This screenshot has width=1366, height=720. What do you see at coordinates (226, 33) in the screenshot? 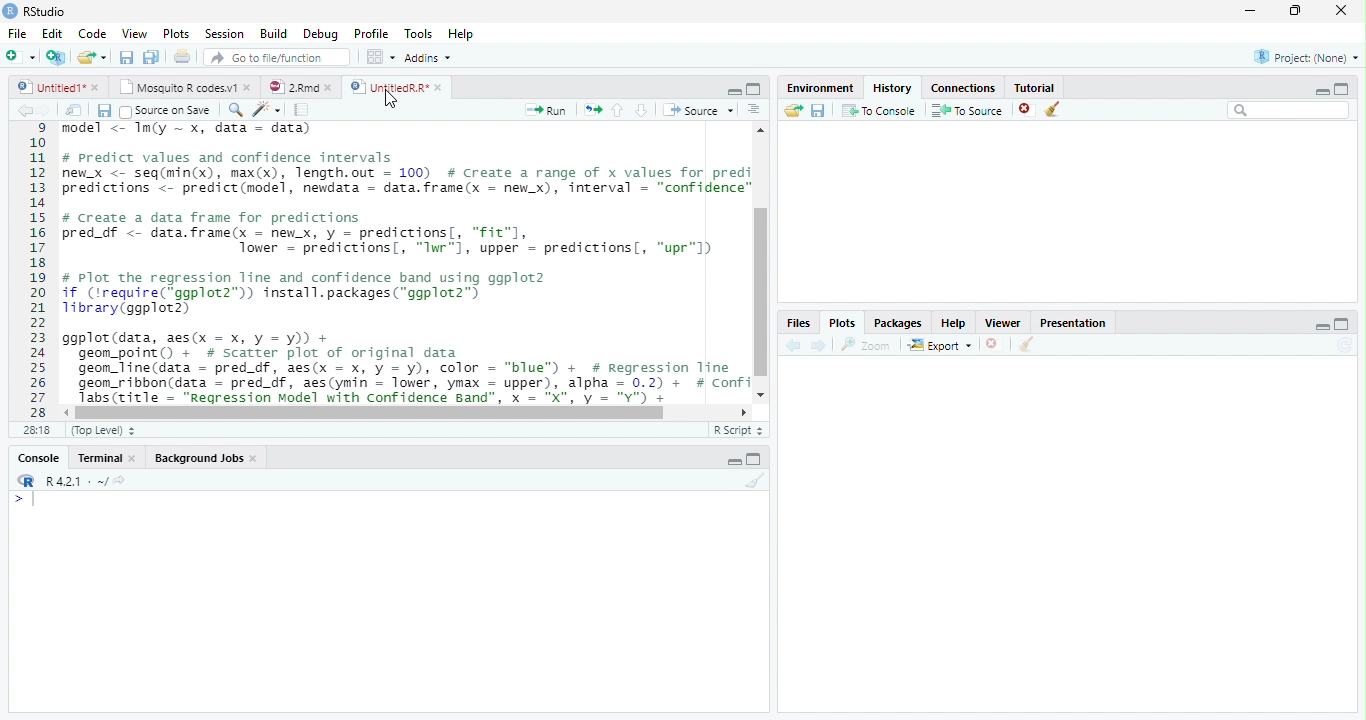
I see `Session` at bounding box center [226, 33].